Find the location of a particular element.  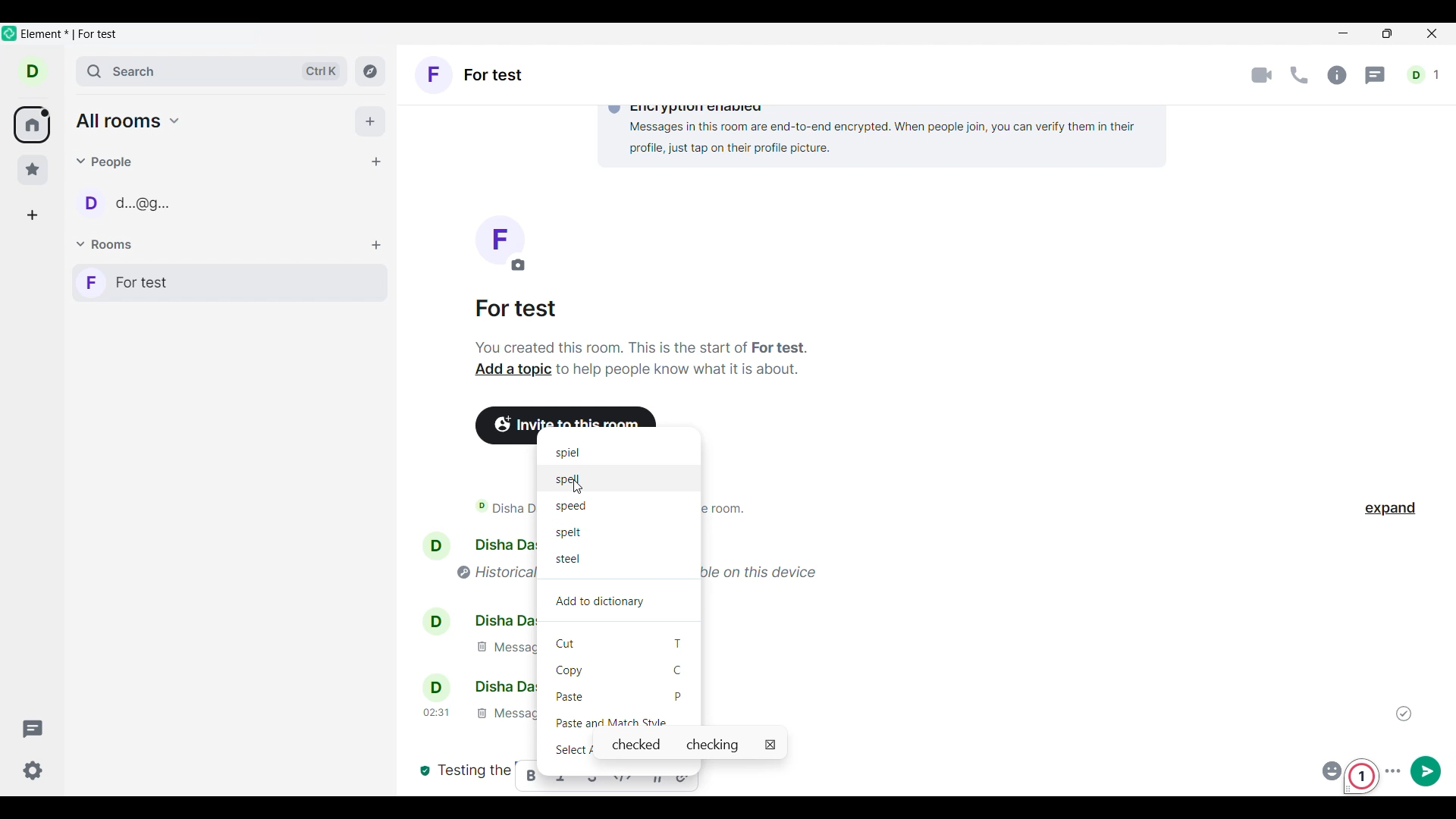

Threads is located at coordinates (33, 729).